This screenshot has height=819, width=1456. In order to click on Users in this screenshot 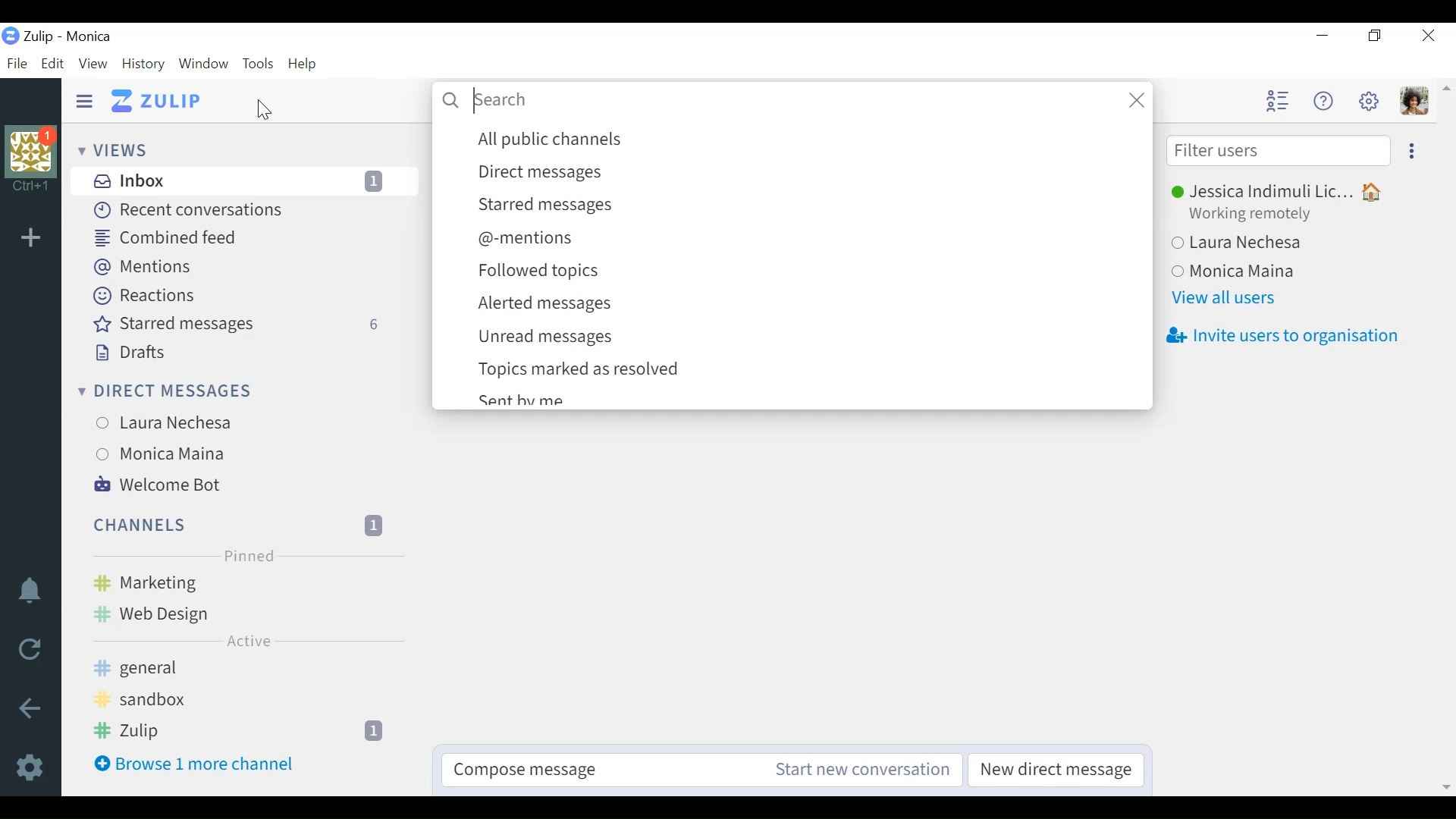, I will do `click(180, 425)`.